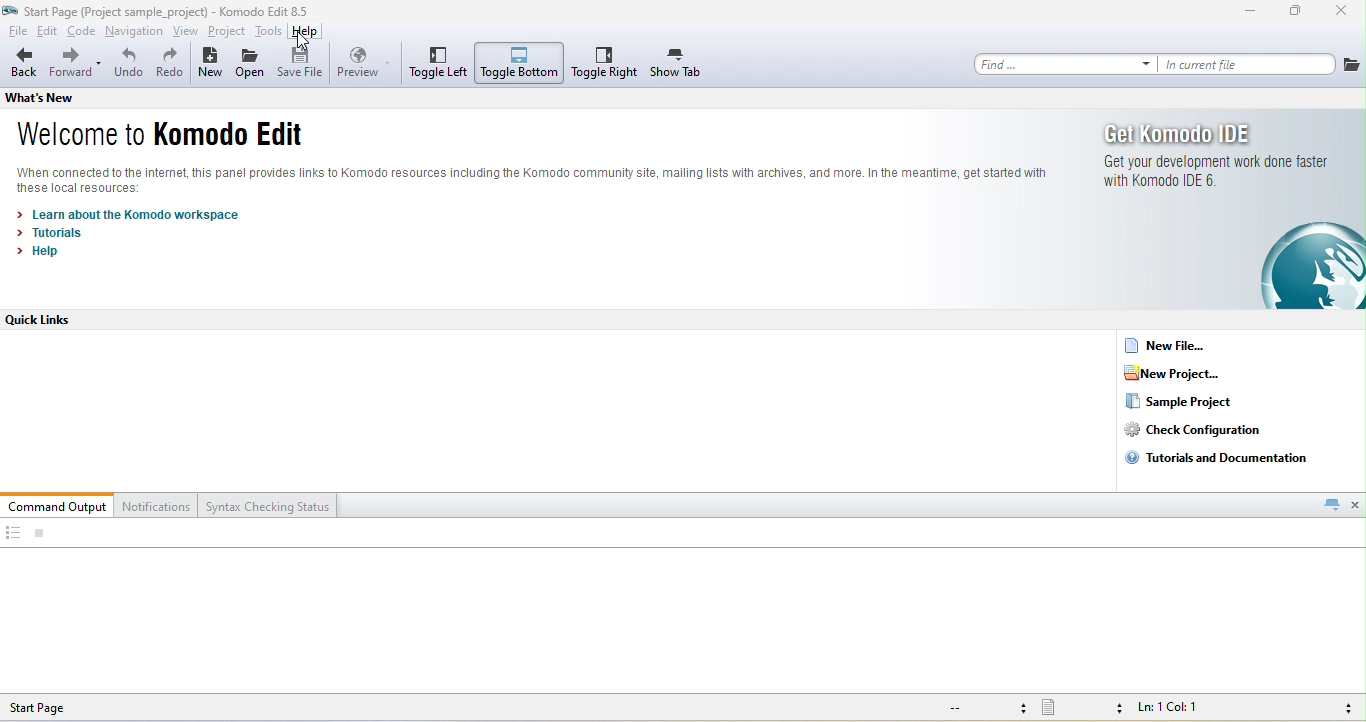 This screenshot has width=1366, height=722. What do you see at coordinates (269, 505) in the screenshot?
I see `syntax checking status` at bounding box center [269, 505].